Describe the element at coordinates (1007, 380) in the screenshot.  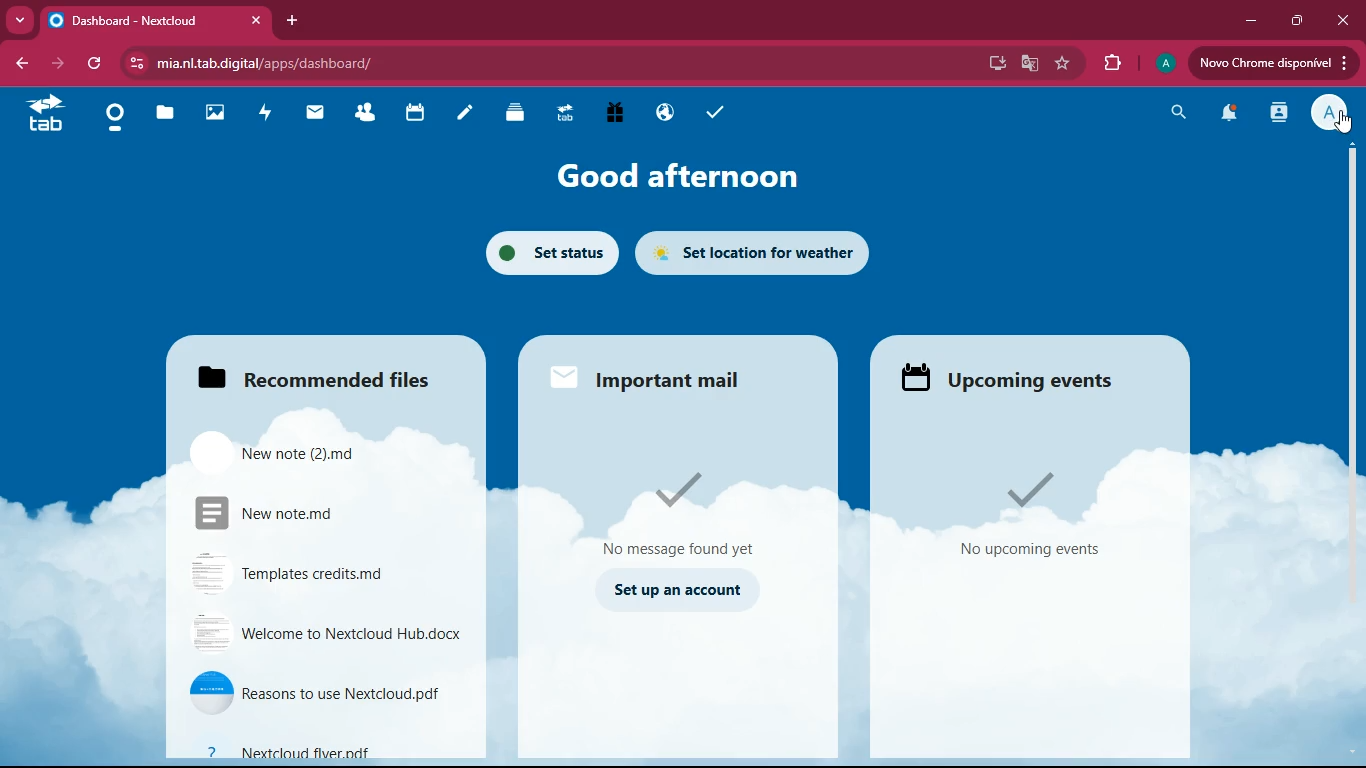
I see `events` at that location.